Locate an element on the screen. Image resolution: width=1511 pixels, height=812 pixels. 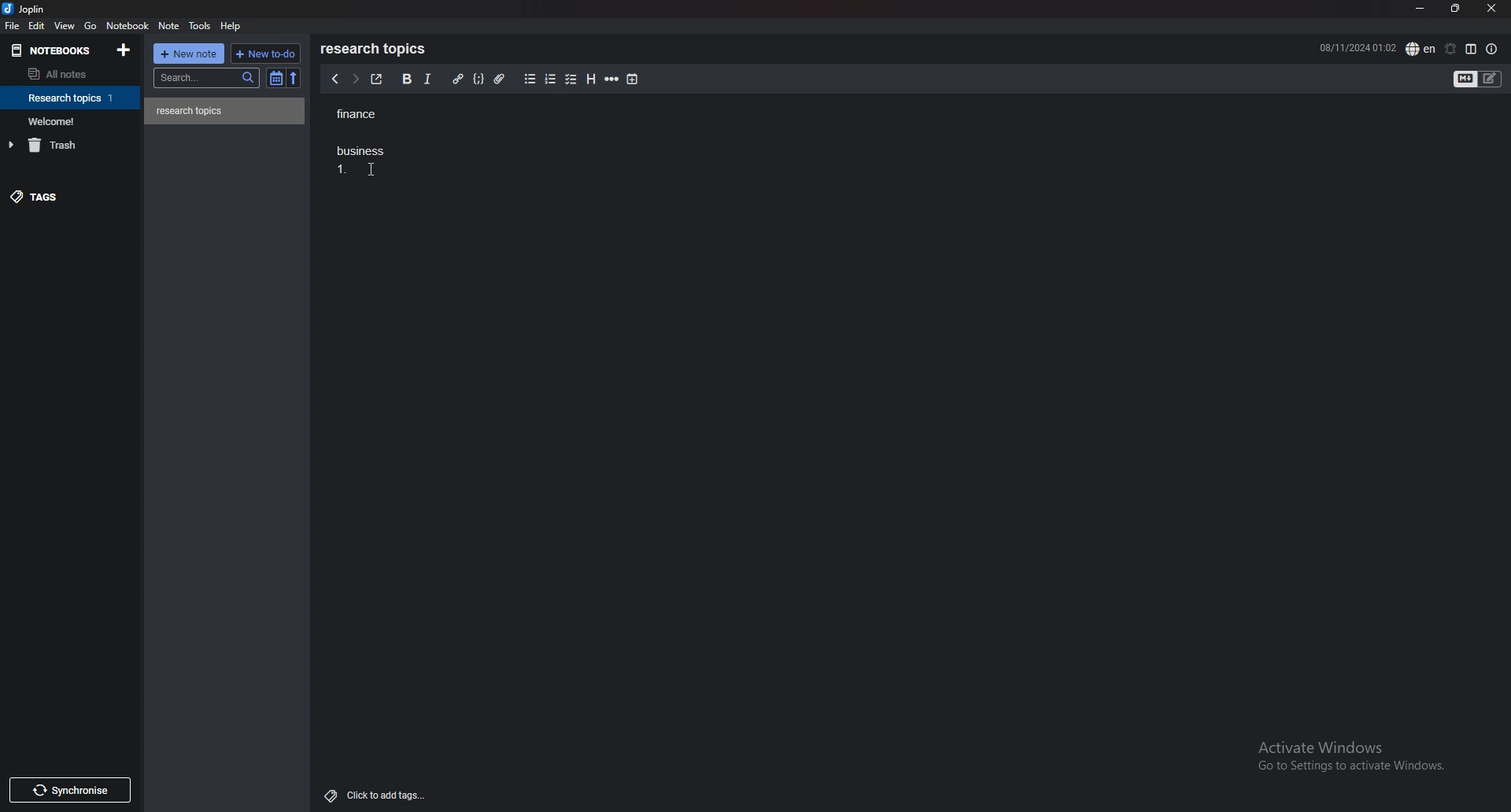
numbered list is located at coordinates (552, 79).